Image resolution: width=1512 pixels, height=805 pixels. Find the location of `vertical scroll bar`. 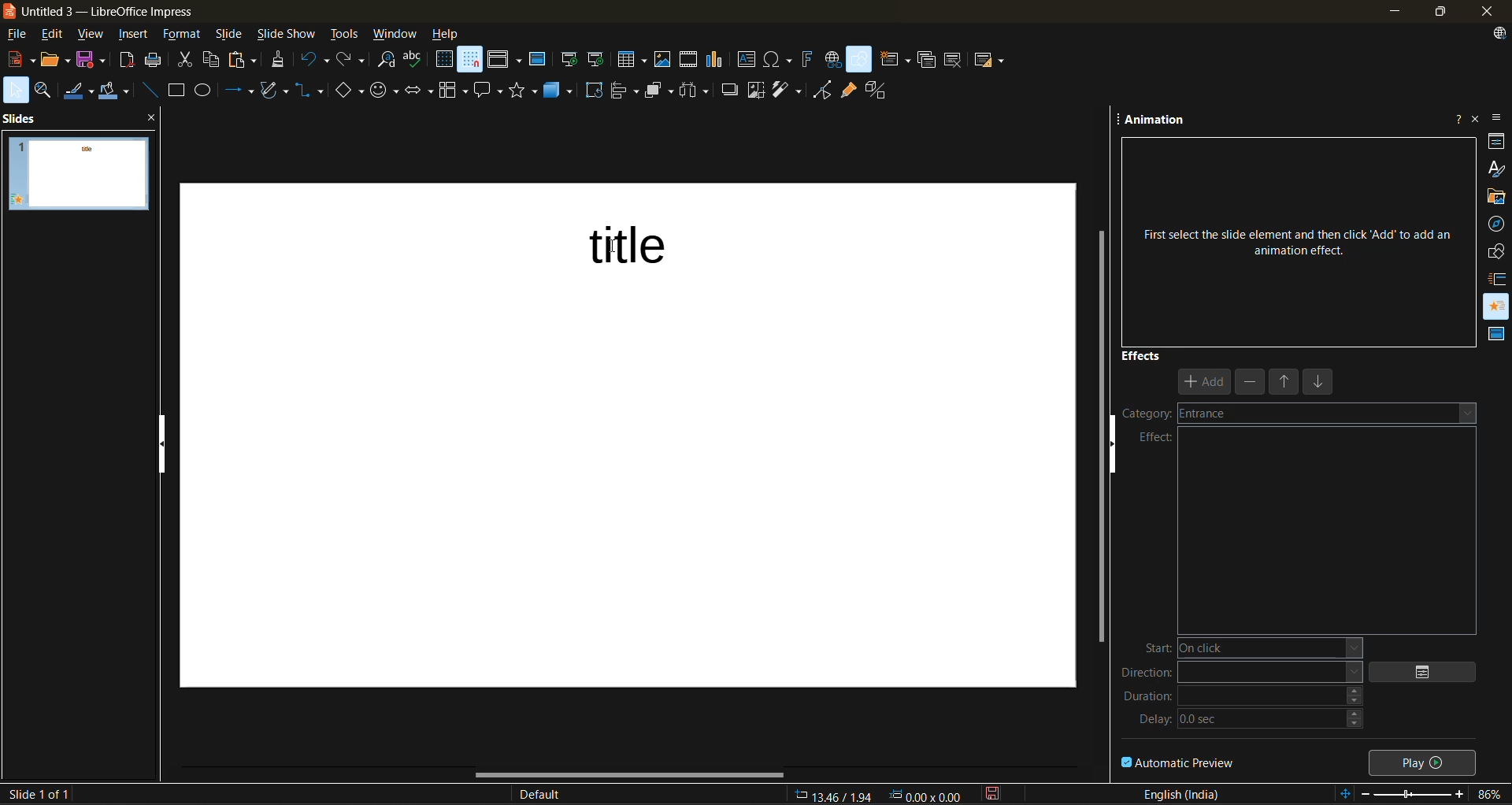

vertical scroll bar is located at coordinates (1102, 429).